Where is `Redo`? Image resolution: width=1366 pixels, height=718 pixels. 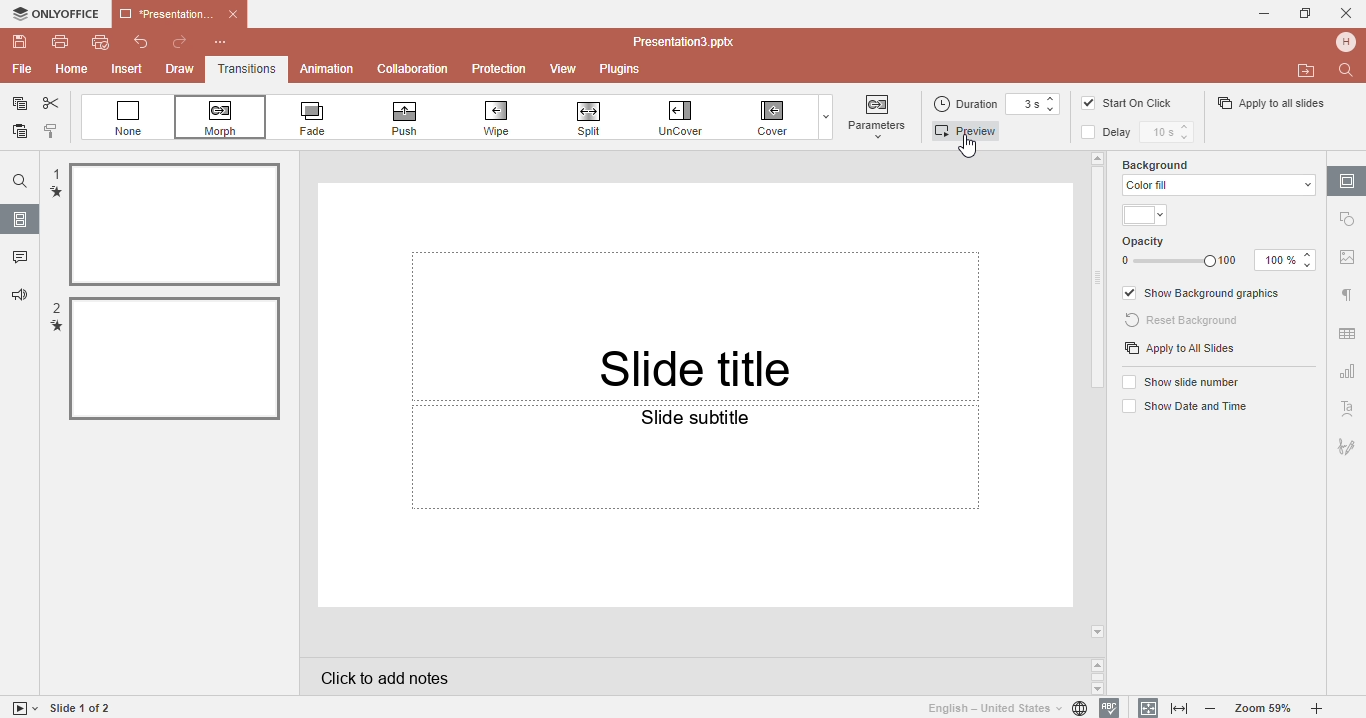
Redo is located at coordinates (179, 43).